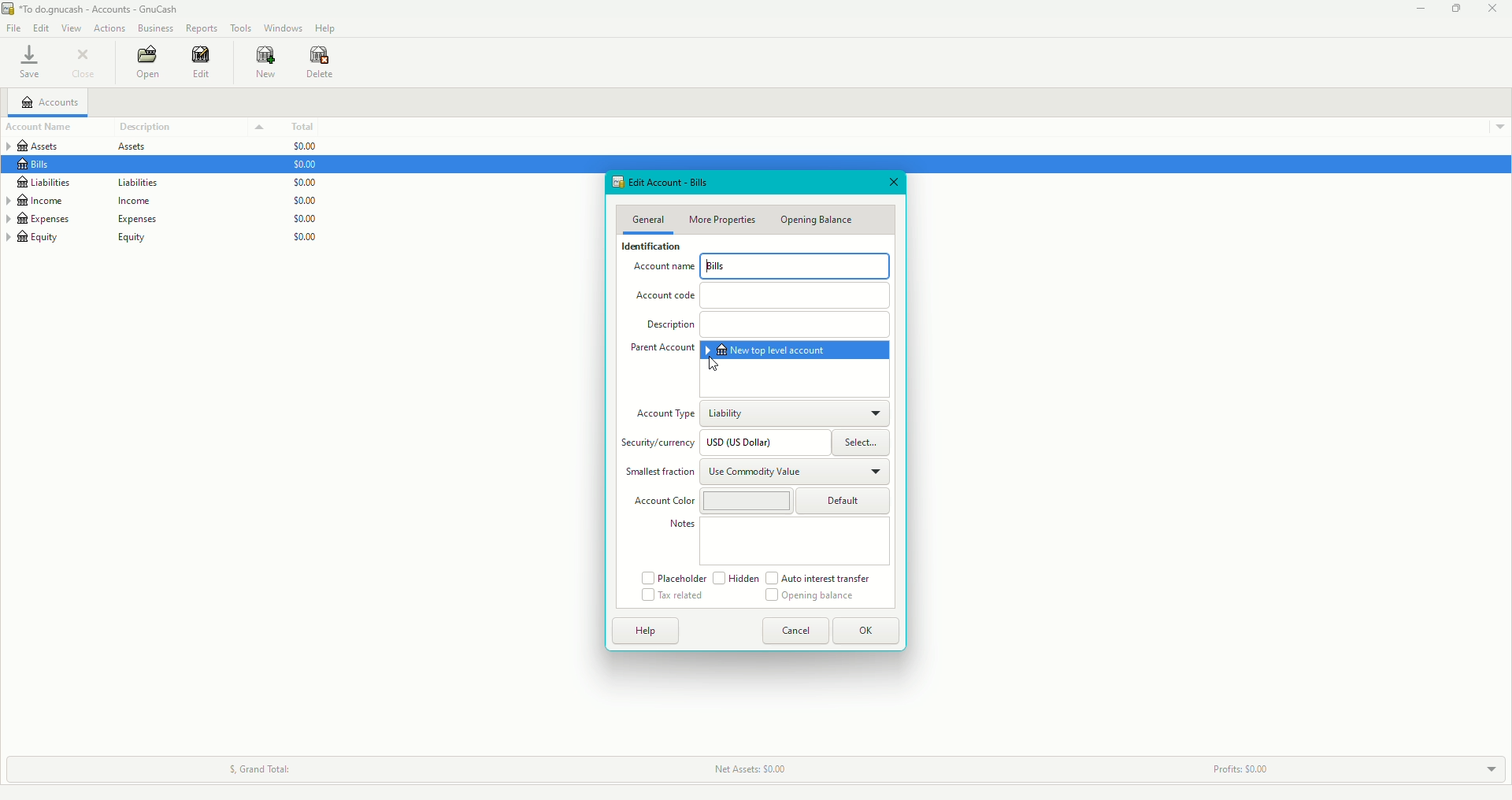 The height and width of the screenshot is (800, 1512). What do you see at coordinates (727, 220) in the screenshot?
I see `More Properties` at bounding box center [727, 220].